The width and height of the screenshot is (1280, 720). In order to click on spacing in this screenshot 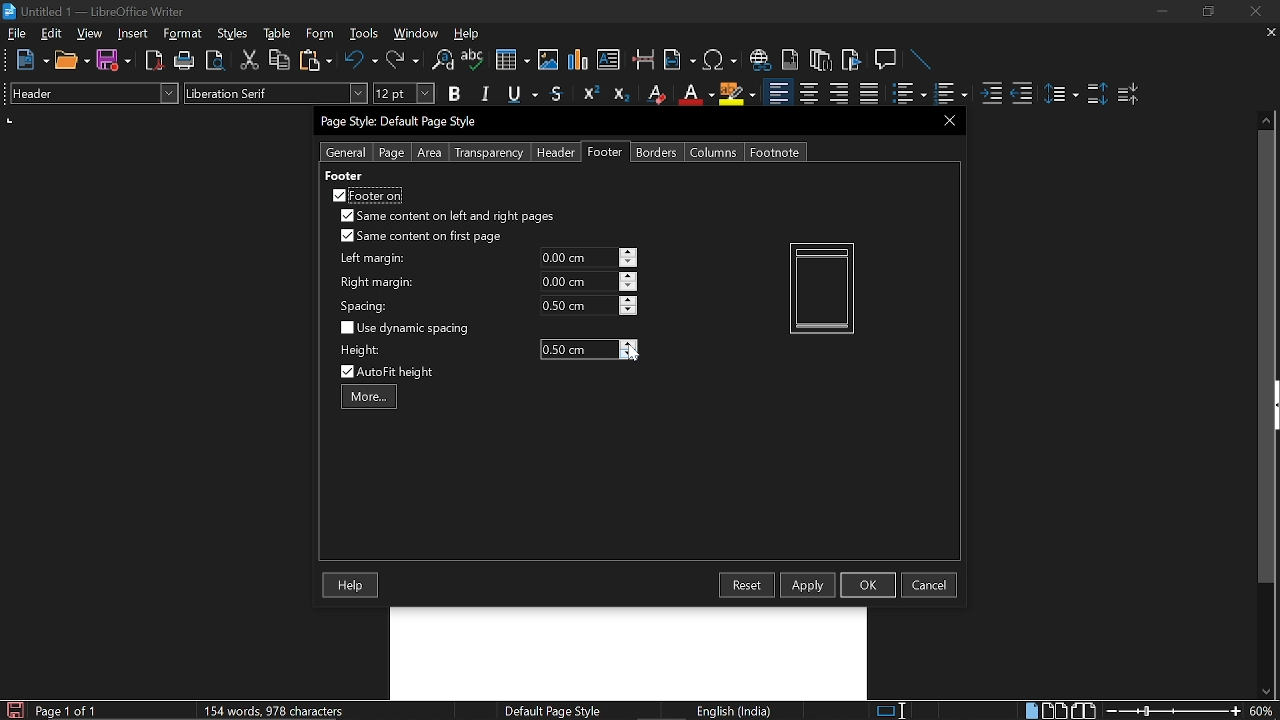, I will do `click(367, 306)`.